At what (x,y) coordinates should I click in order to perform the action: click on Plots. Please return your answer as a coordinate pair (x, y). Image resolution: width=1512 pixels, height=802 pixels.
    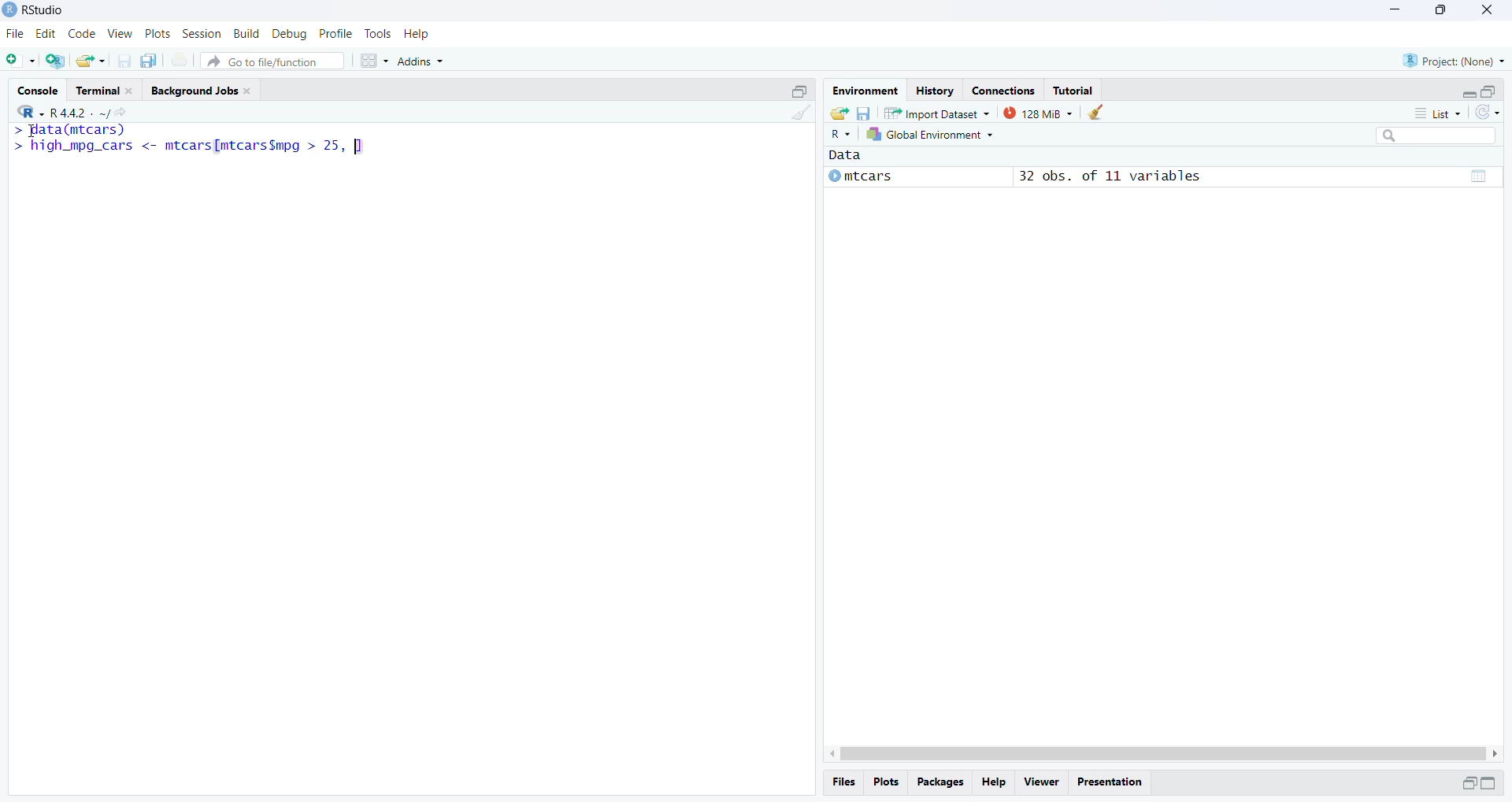
    Looking at the image, I should click on (157, 34).